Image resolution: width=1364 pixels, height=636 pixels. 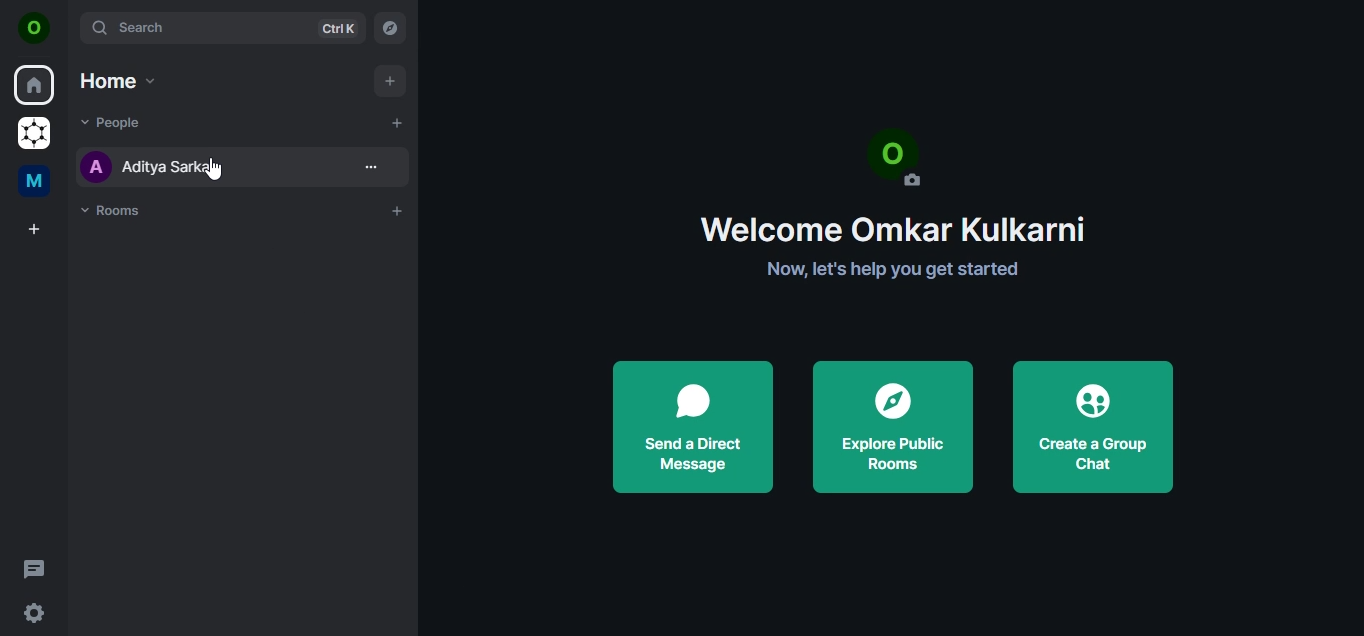 I want to click on grapheneOS commumity, so click(x=36, y=131).